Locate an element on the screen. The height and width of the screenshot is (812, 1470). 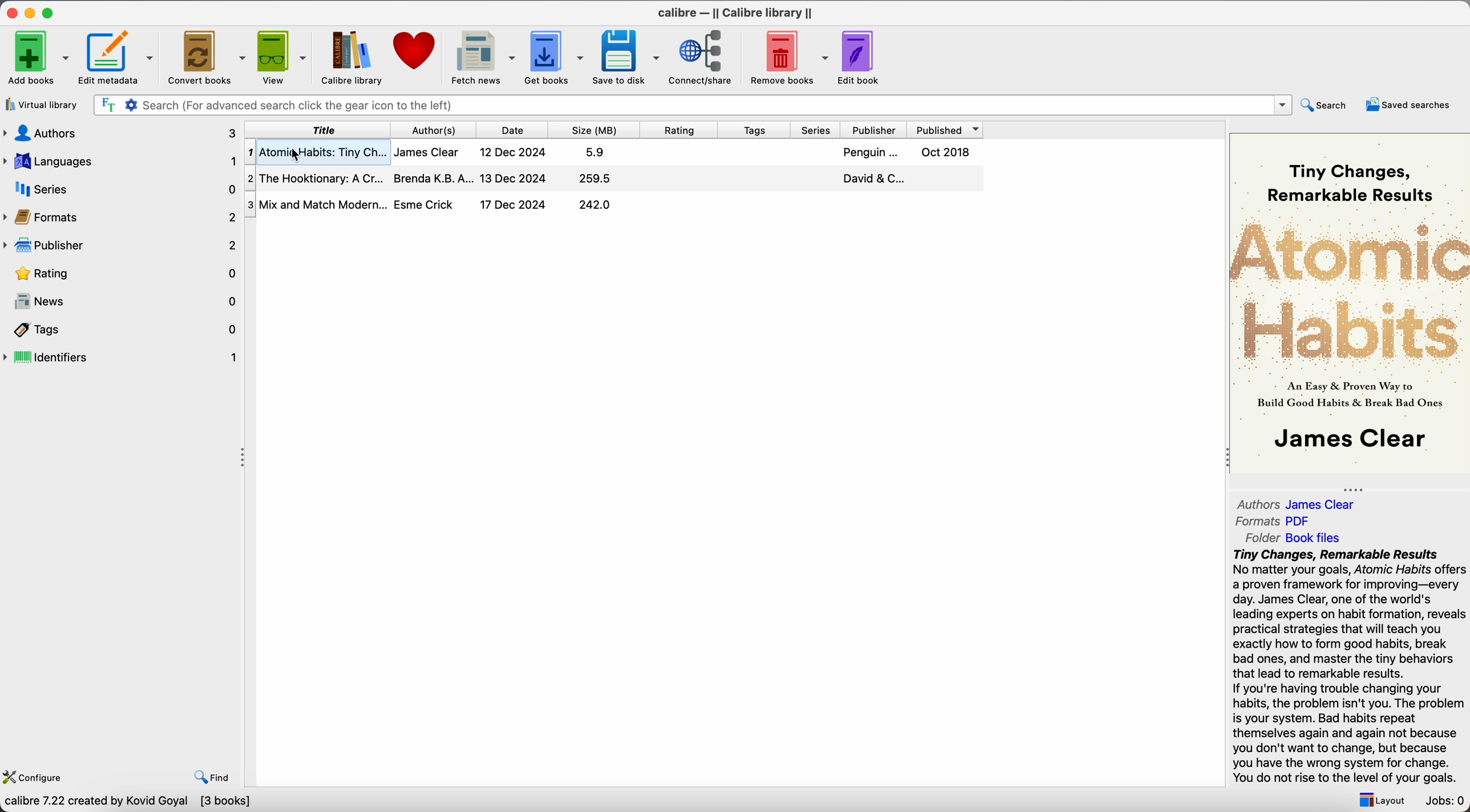
tags is located at coordinates (754, 130).